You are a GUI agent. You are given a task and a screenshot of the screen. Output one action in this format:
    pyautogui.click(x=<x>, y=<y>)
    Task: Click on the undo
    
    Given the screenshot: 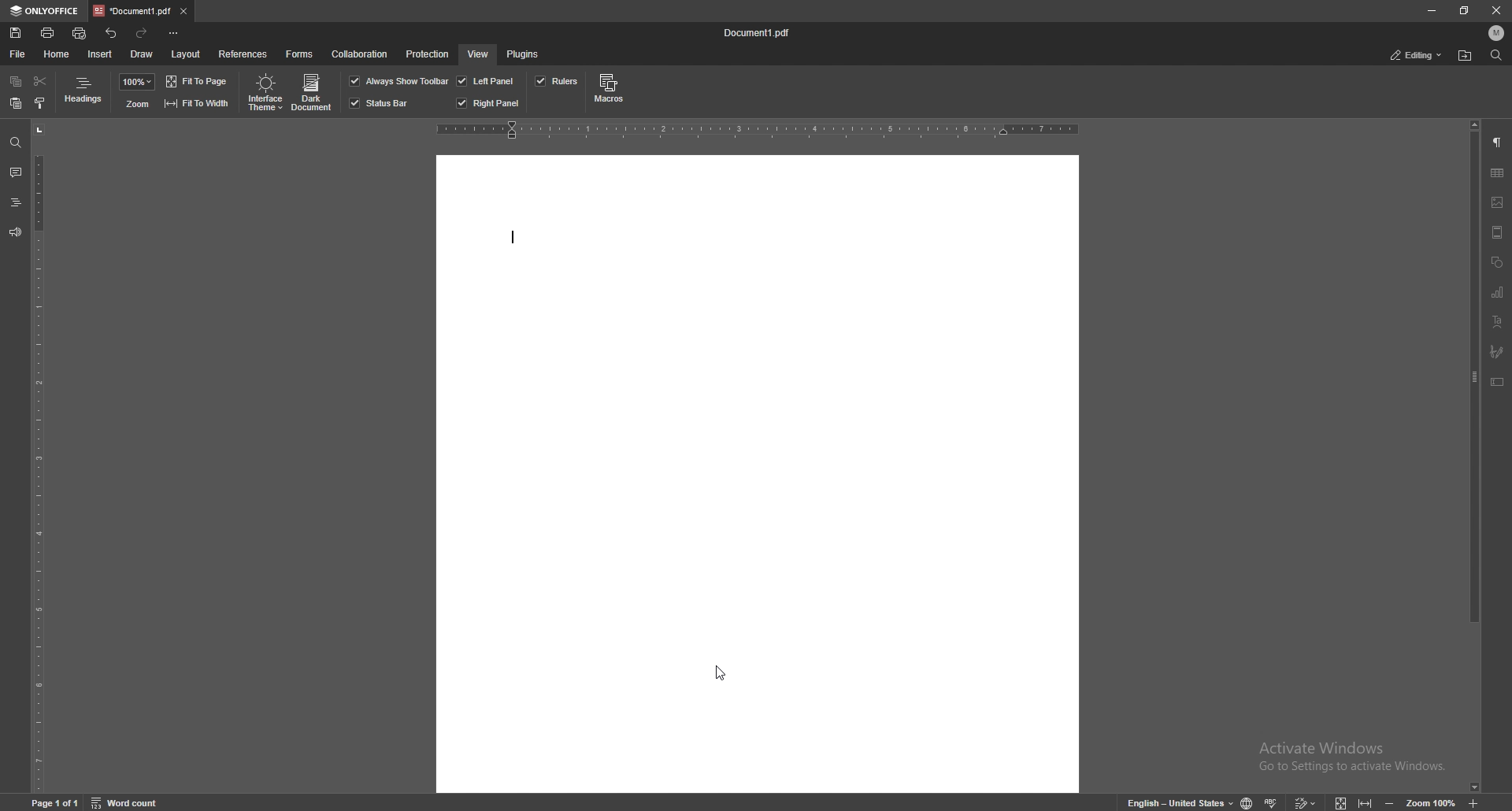 What is the action you would take?
    pyautogui.click(x=112, y=33)
    